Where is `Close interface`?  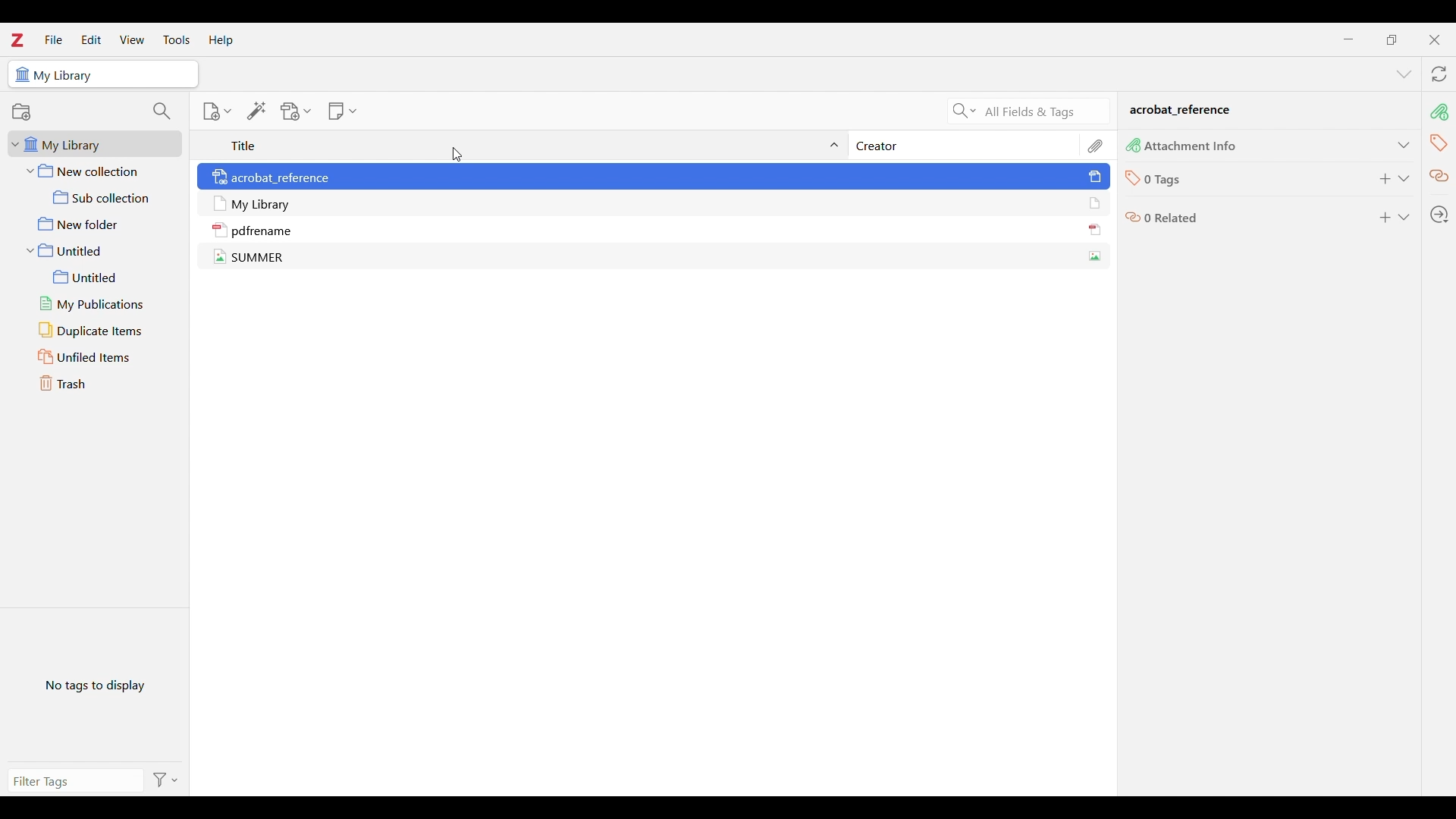
Close interface is located at coordinates (1434, 40).